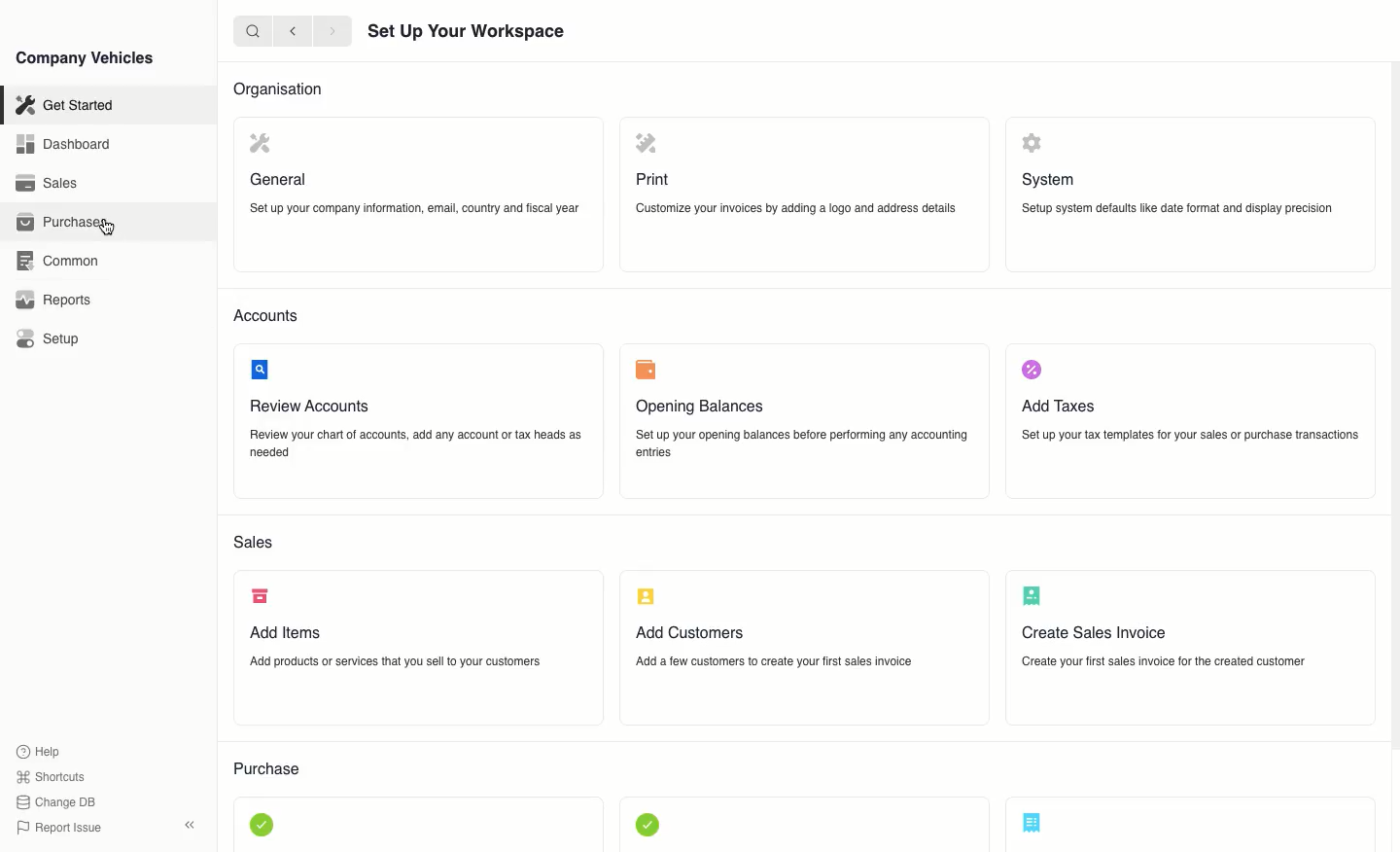 This screenshot has width=1400, height=852. I want to click on close sidebar, so click(192, 823).